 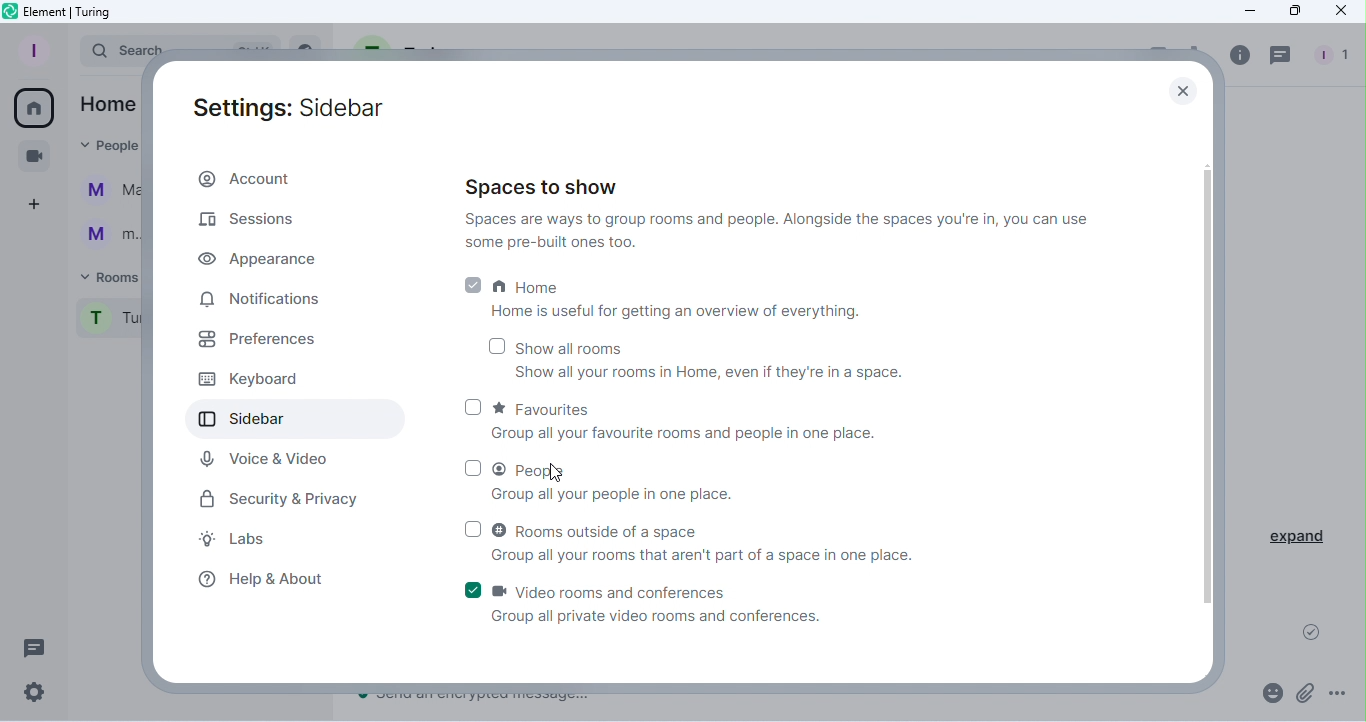 I want to click on Help and about, so click(x=261, y=577).